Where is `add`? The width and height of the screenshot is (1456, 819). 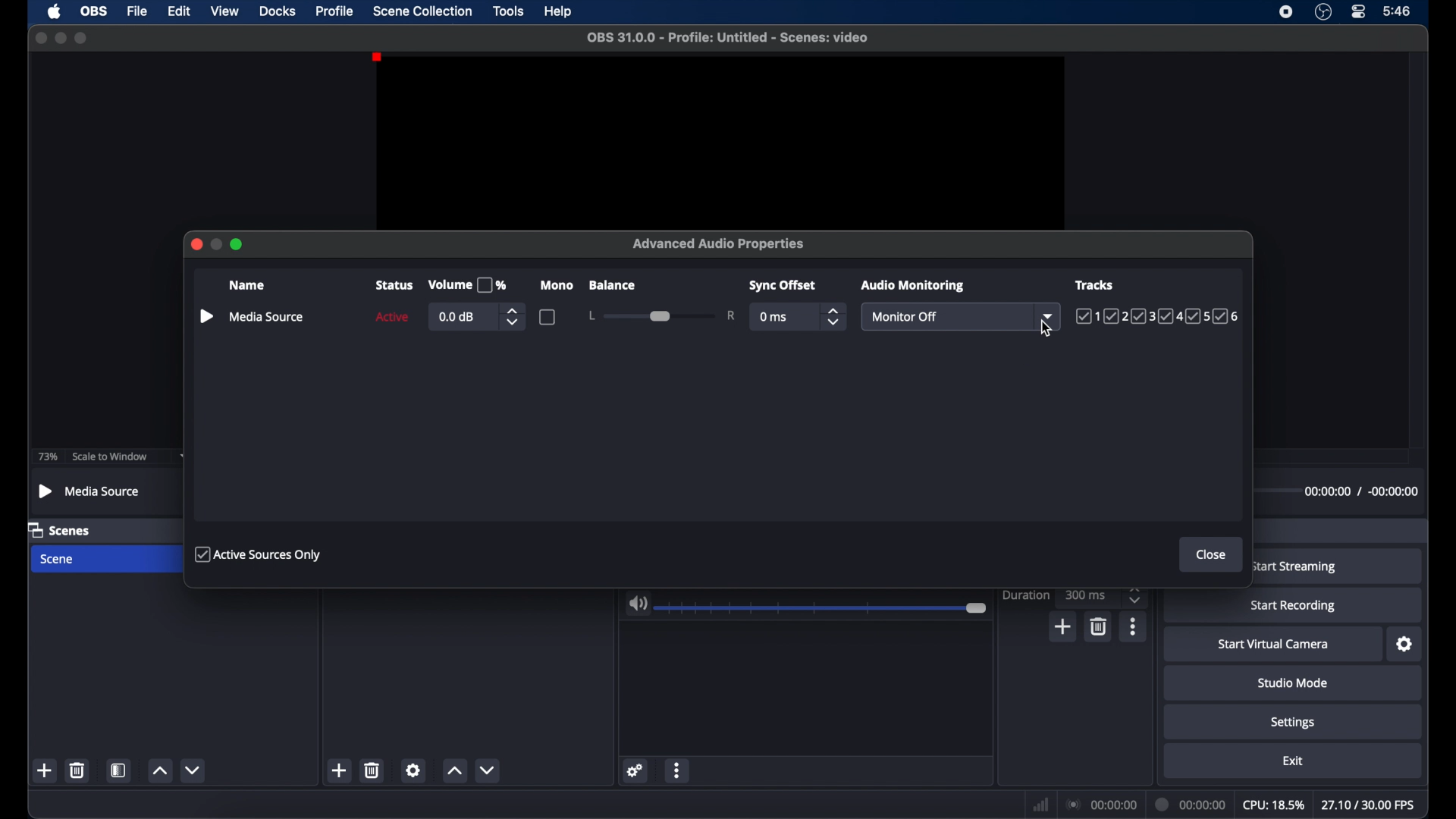 add is located at coordinates (340, 770).